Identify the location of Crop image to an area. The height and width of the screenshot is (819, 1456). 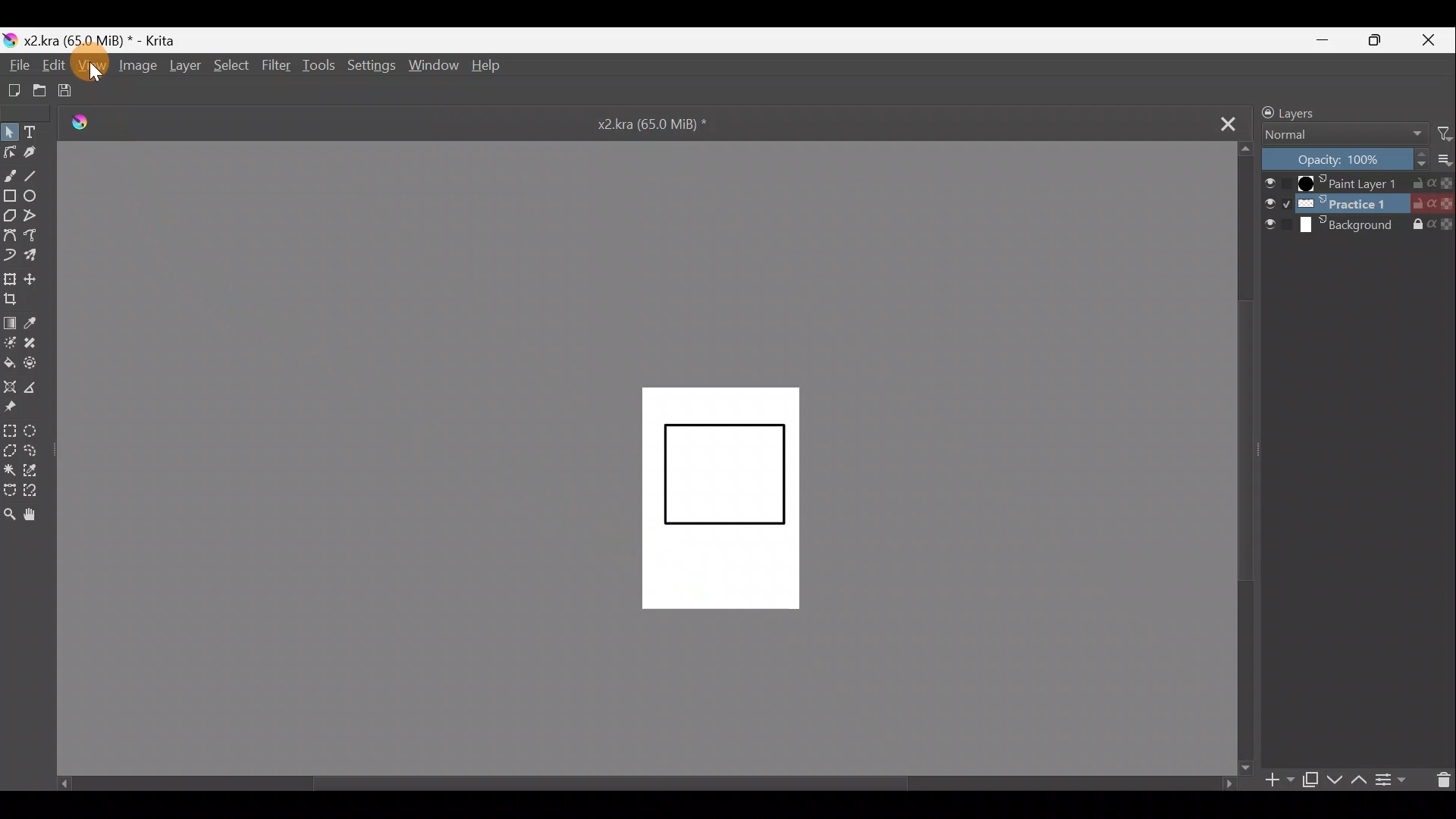
(15, 303).